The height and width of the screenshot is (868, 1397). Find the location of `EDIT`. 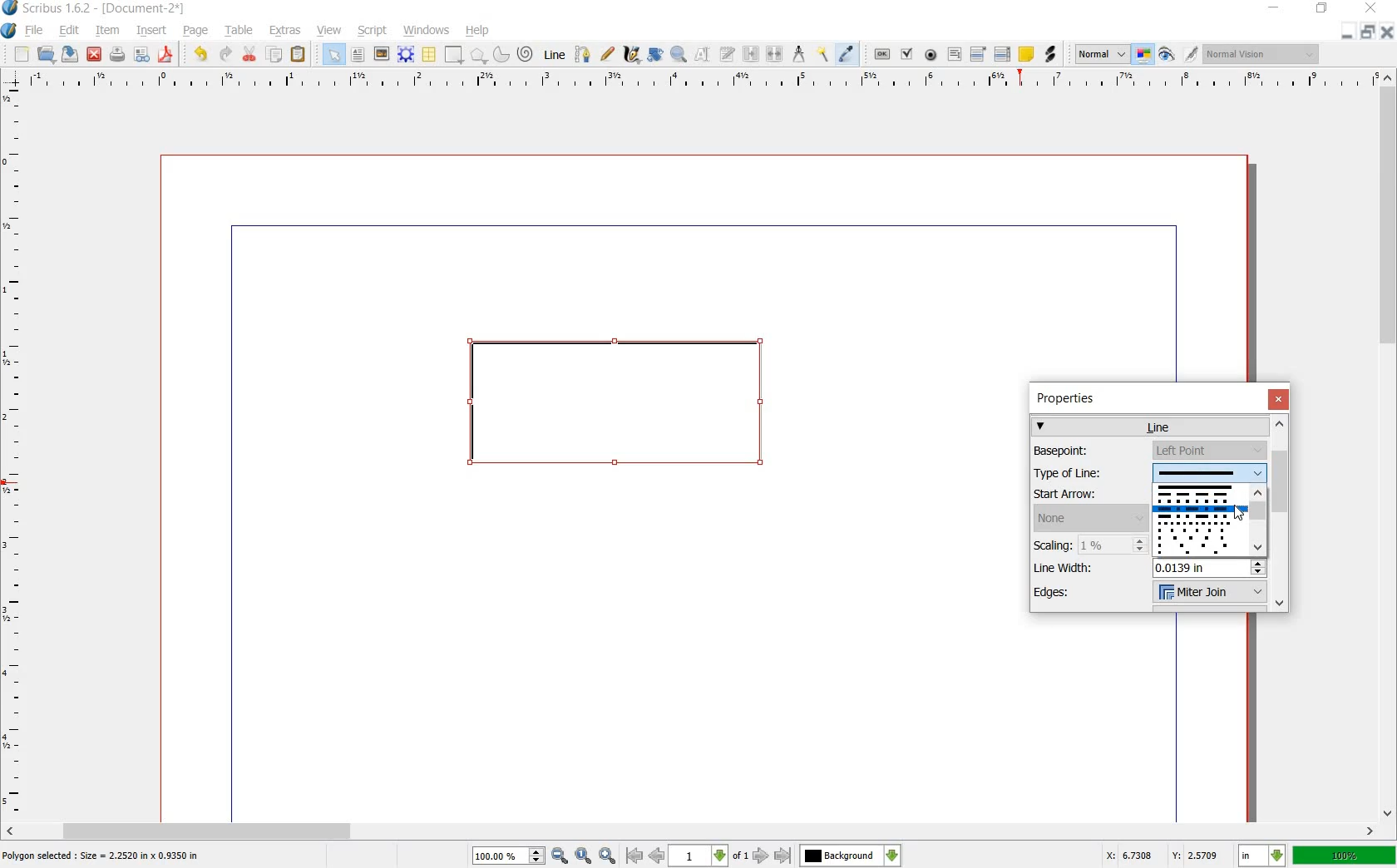

EDIT is located at coordinates (68, 31).